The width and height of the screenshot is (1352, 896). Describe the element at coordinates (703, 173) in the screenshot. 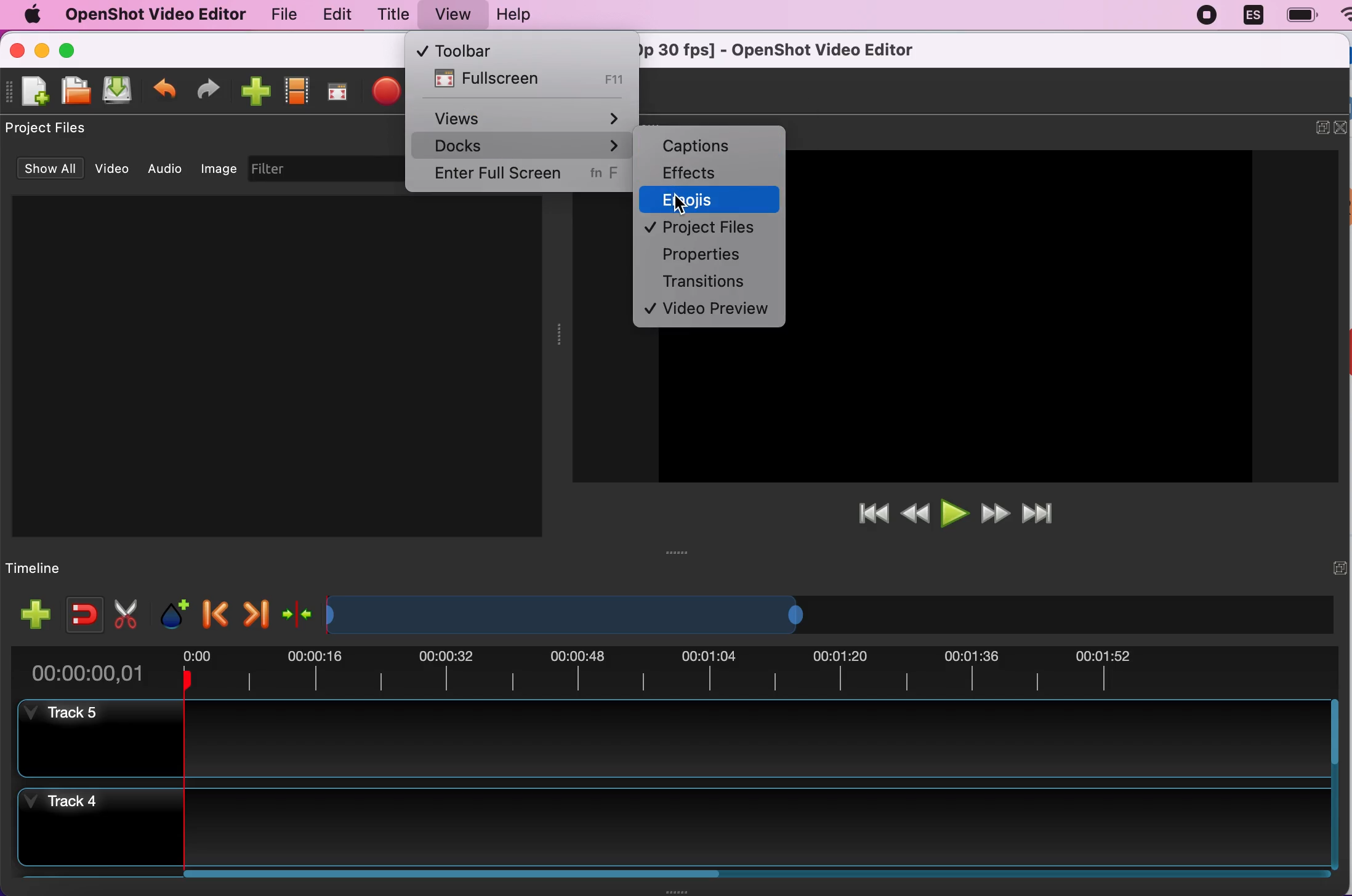

I see `effects` at that location.